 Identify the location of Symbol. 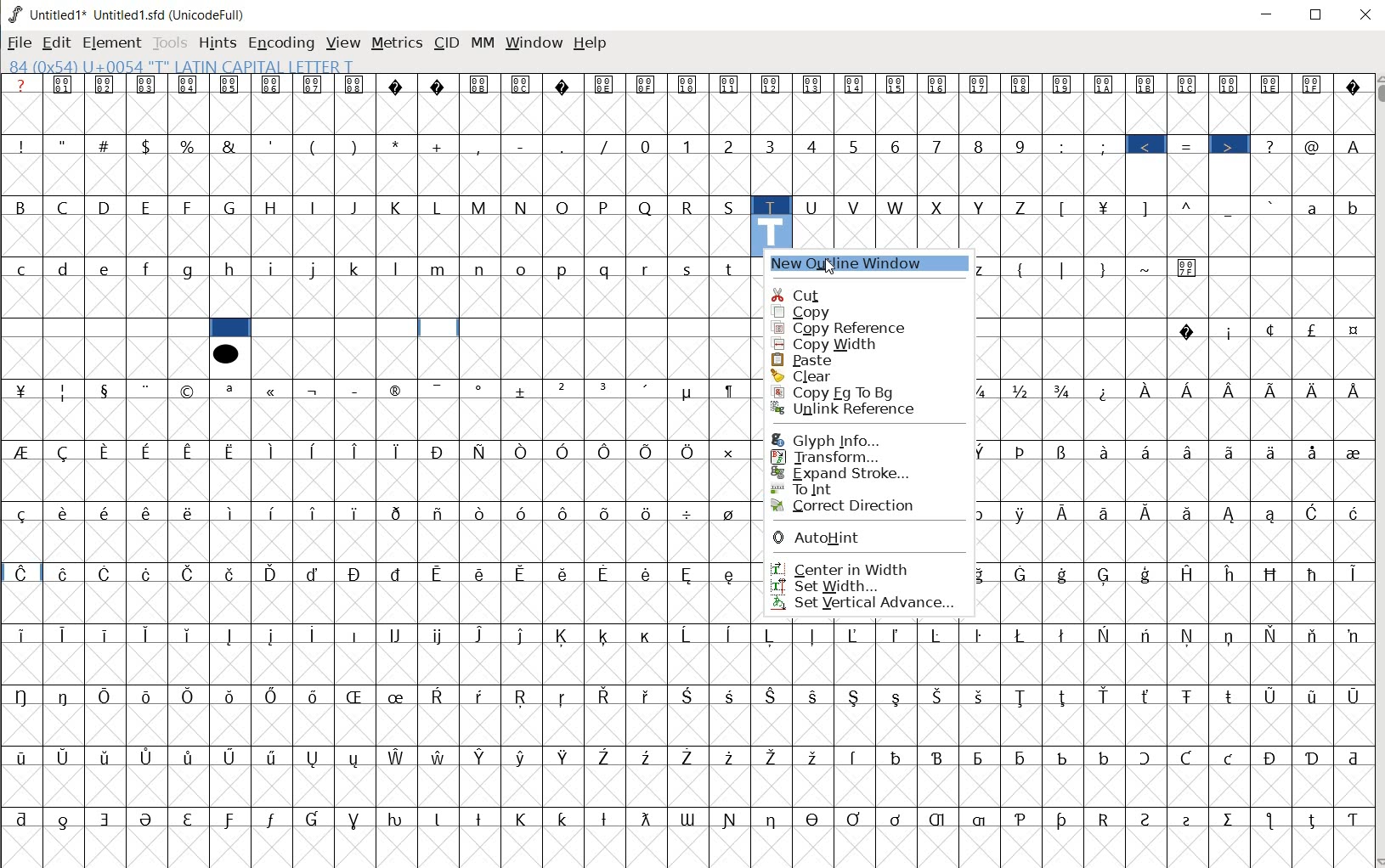
(483, 451).